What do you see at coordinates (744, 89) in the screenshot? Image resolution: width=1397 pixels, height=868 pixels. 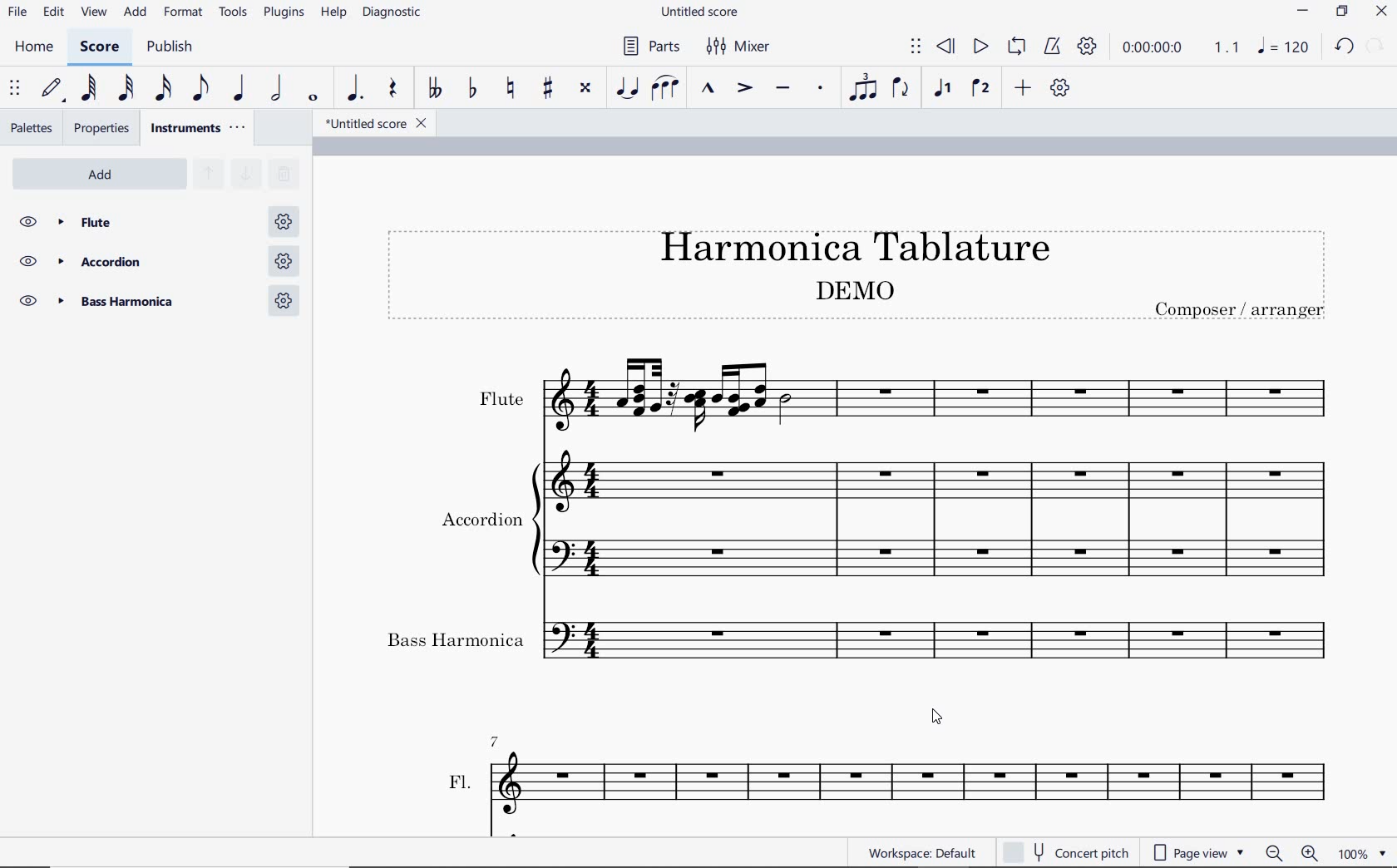 I see `accent` at bounding box center [744, 89].